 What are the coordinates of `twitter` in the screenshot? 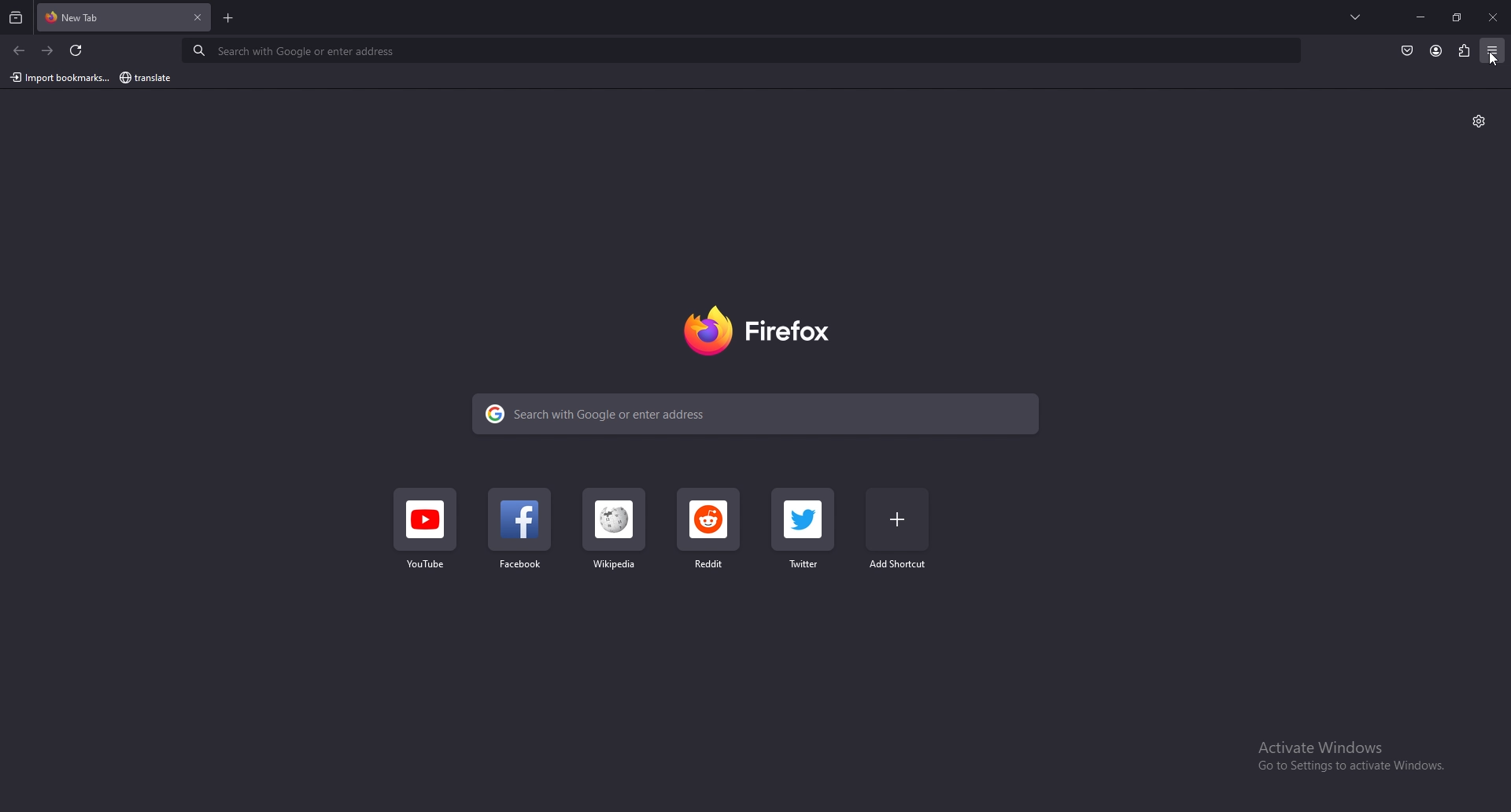 It's located at (804, 529).